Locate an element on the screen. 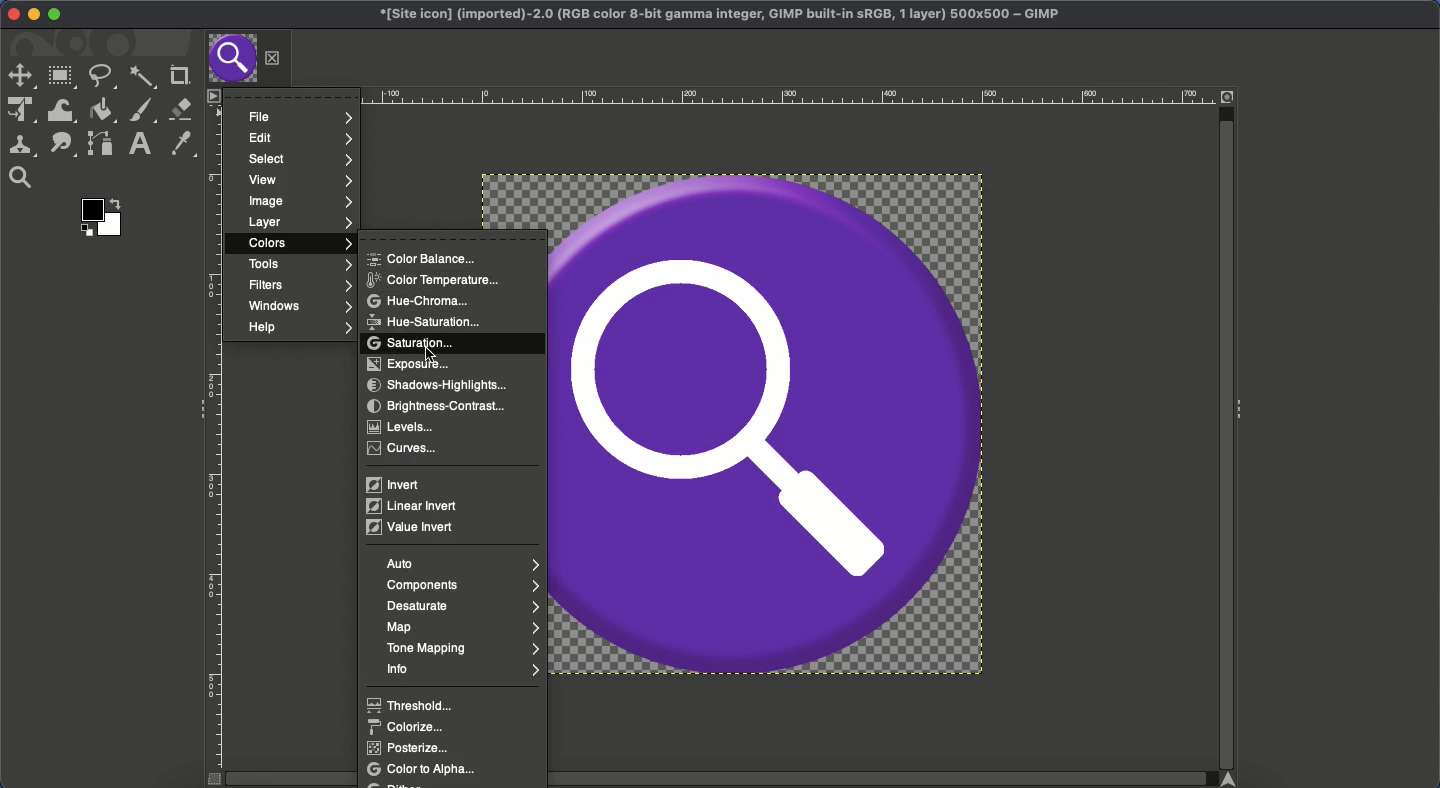 The image size is (1440, 788). Color is located at coordinates (103, 216).